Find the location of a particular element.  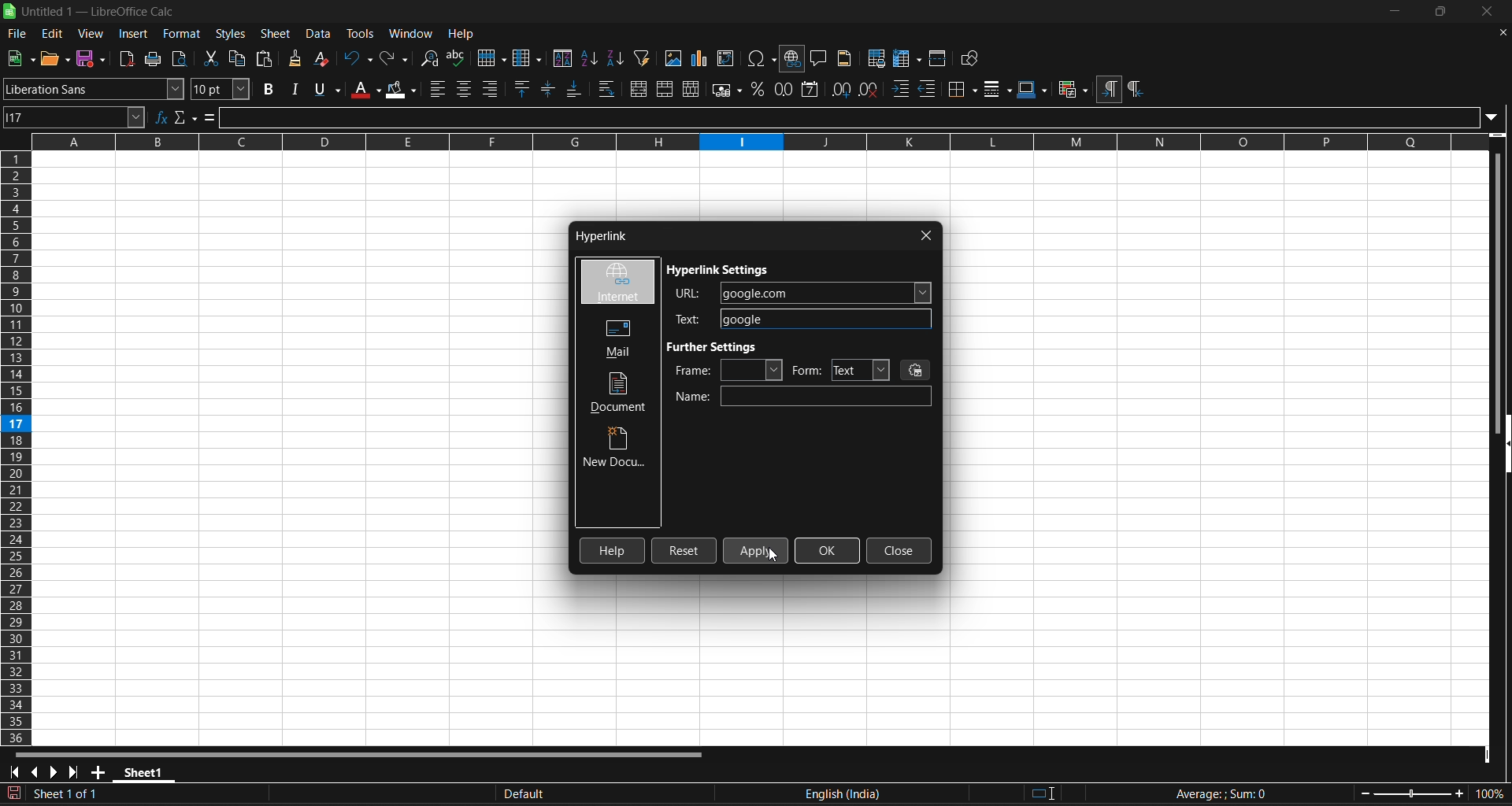

zoom factor is located at coordinates (1433, 793).